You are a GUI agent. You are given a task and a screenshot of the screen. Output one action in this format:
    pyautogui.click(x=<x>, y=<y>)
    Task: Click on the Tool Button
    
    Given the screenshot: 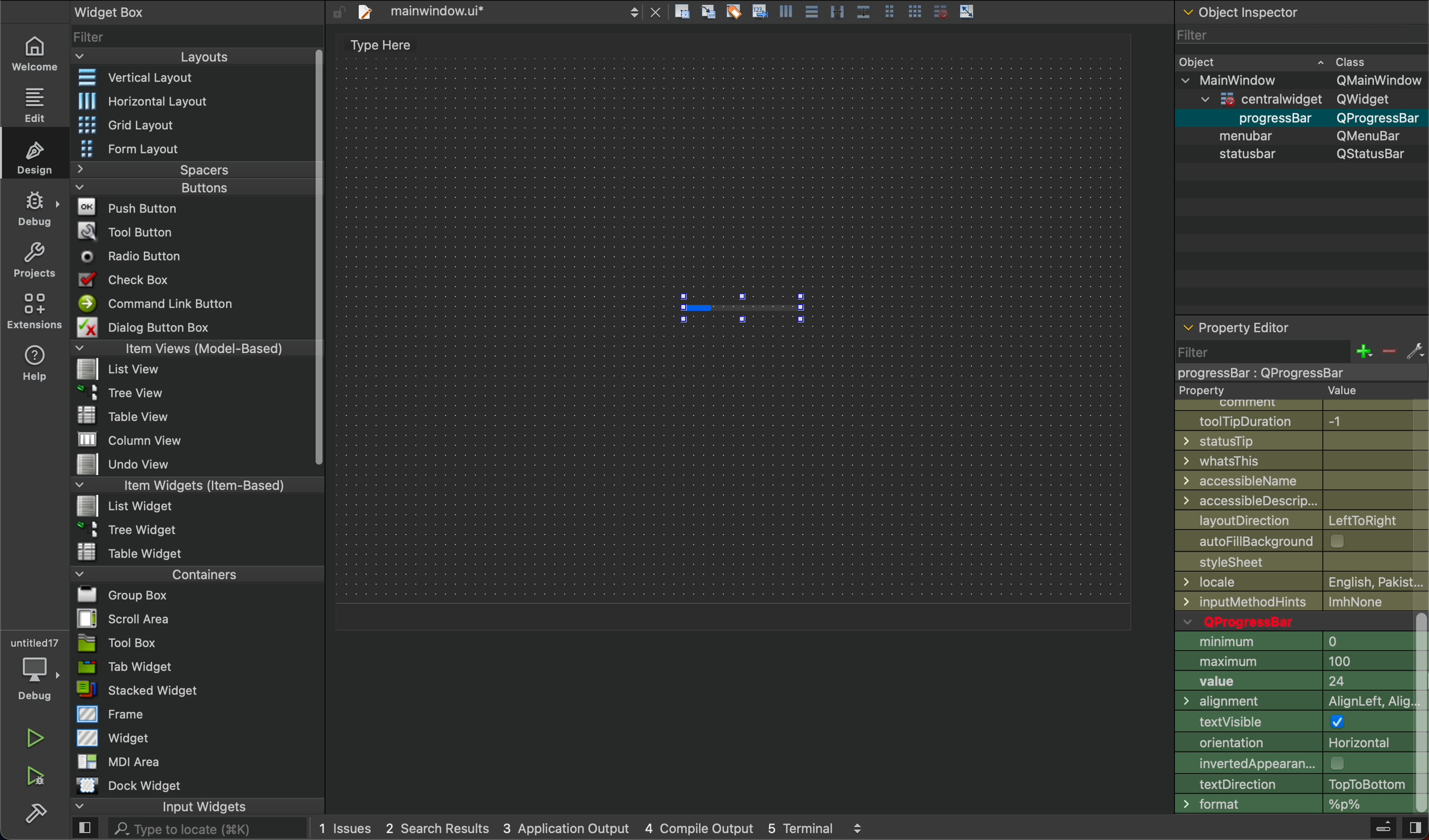 What is the action you would take?
    pyautogui.click(x=135, y=230)
    